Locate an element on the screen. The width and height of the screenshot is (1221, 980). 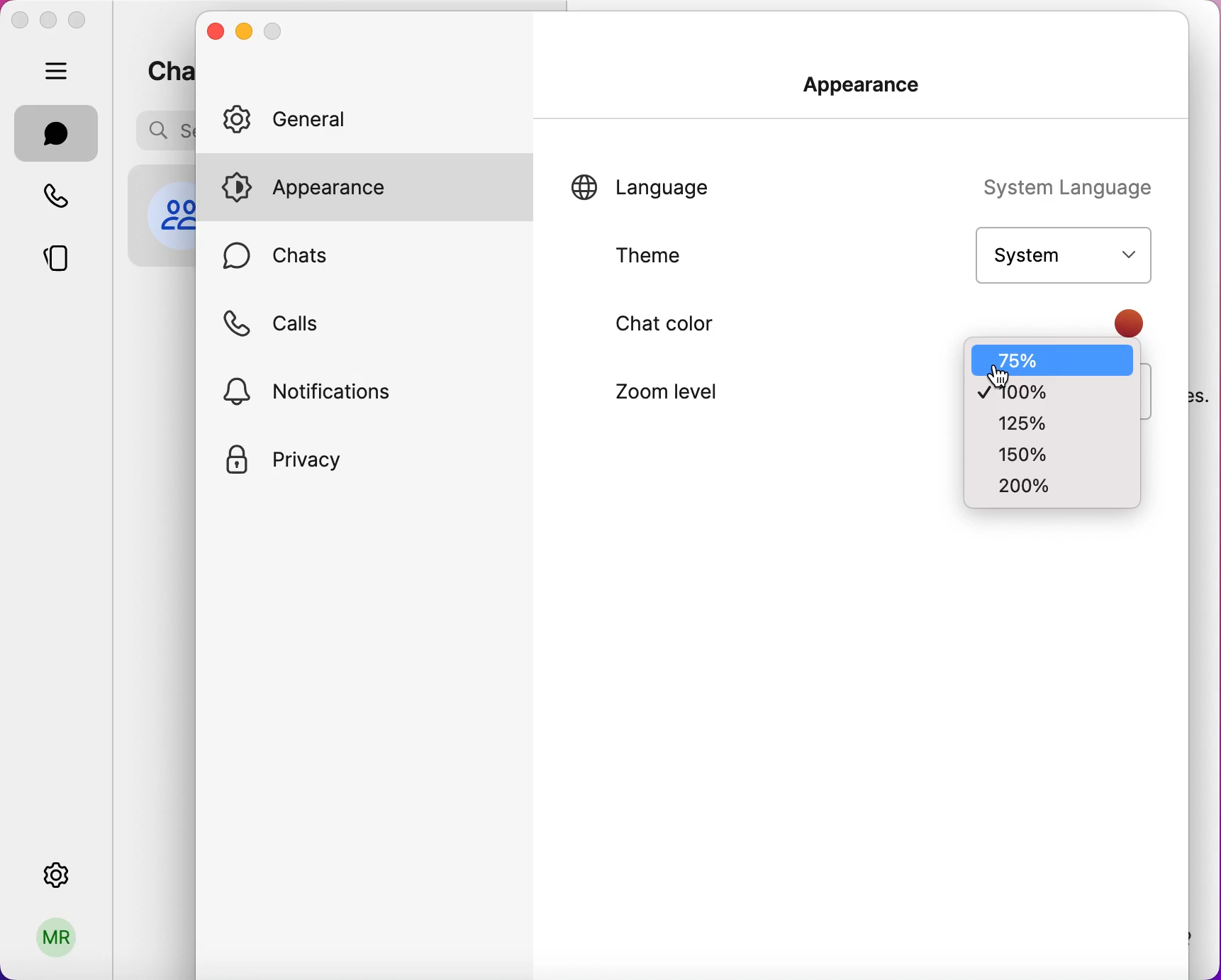
cursor is located at coordinates (1002, 378).